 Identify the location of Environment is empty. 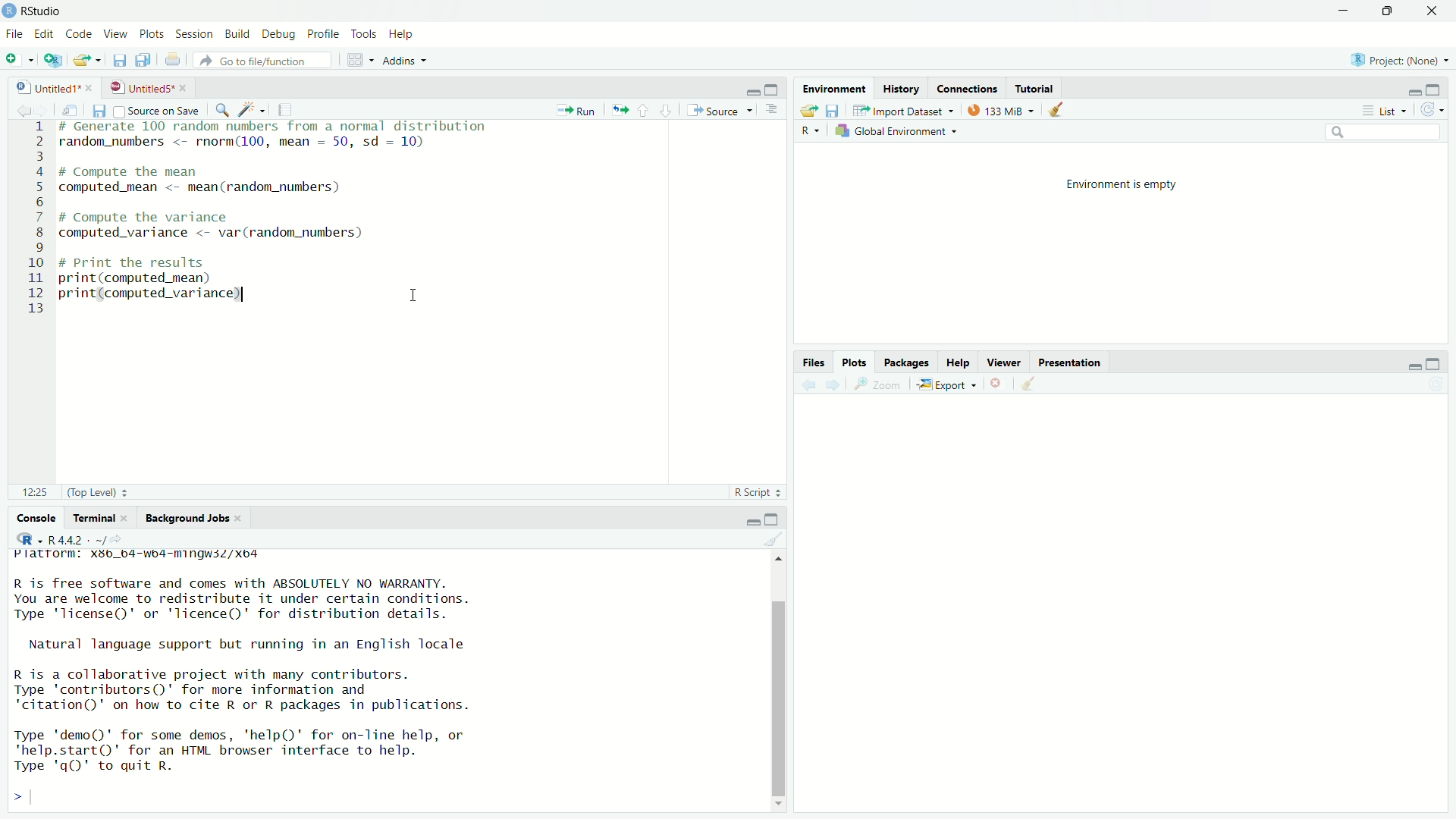
(1122, 187).